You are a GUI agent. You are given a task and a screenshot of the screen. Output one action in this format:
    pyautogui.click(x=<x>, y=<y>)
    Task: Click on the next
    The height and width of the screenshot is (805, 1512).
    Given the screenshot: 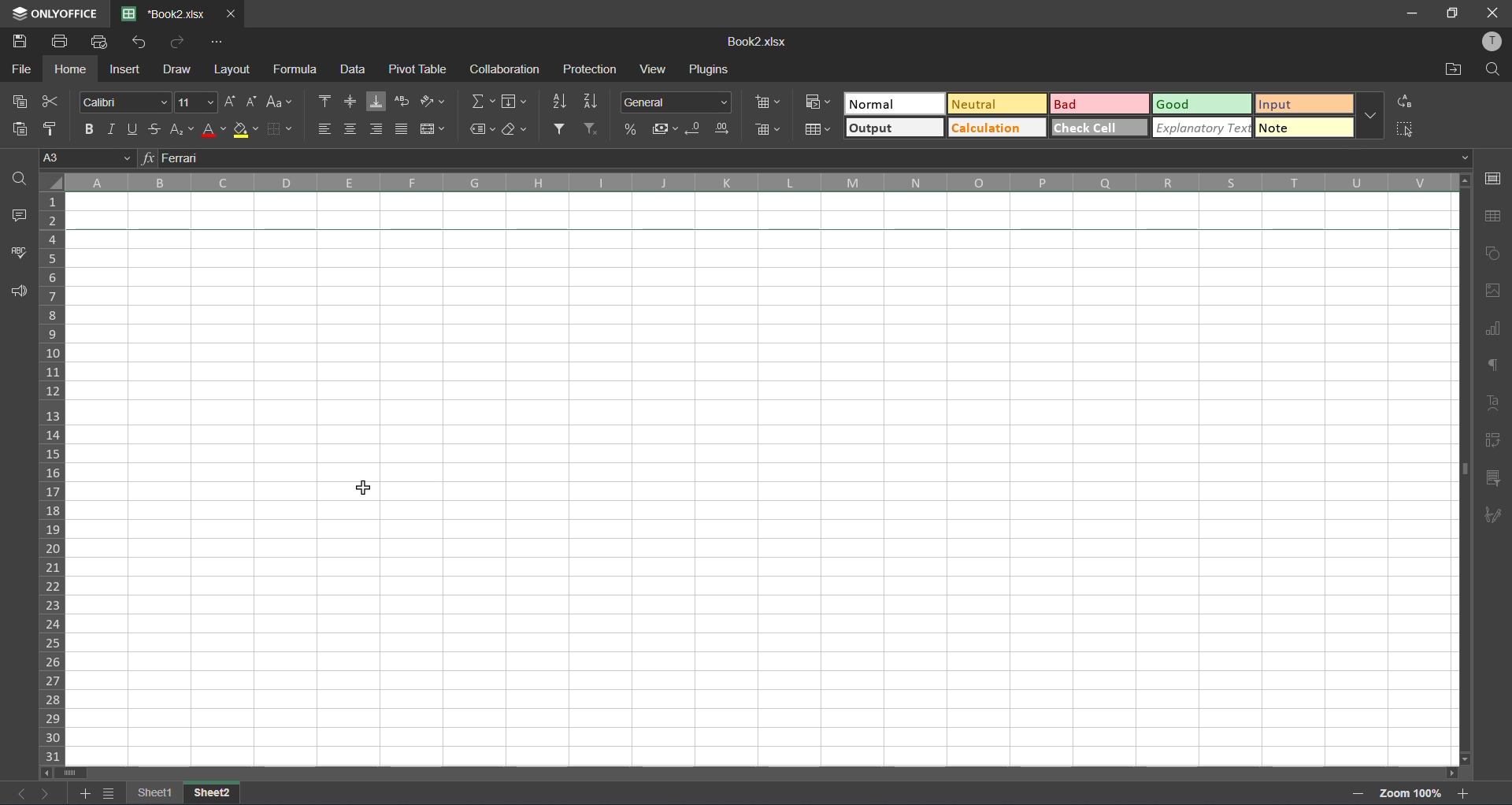 What is the action you would take?
    pyautogui.click(x=46, y=793)
    